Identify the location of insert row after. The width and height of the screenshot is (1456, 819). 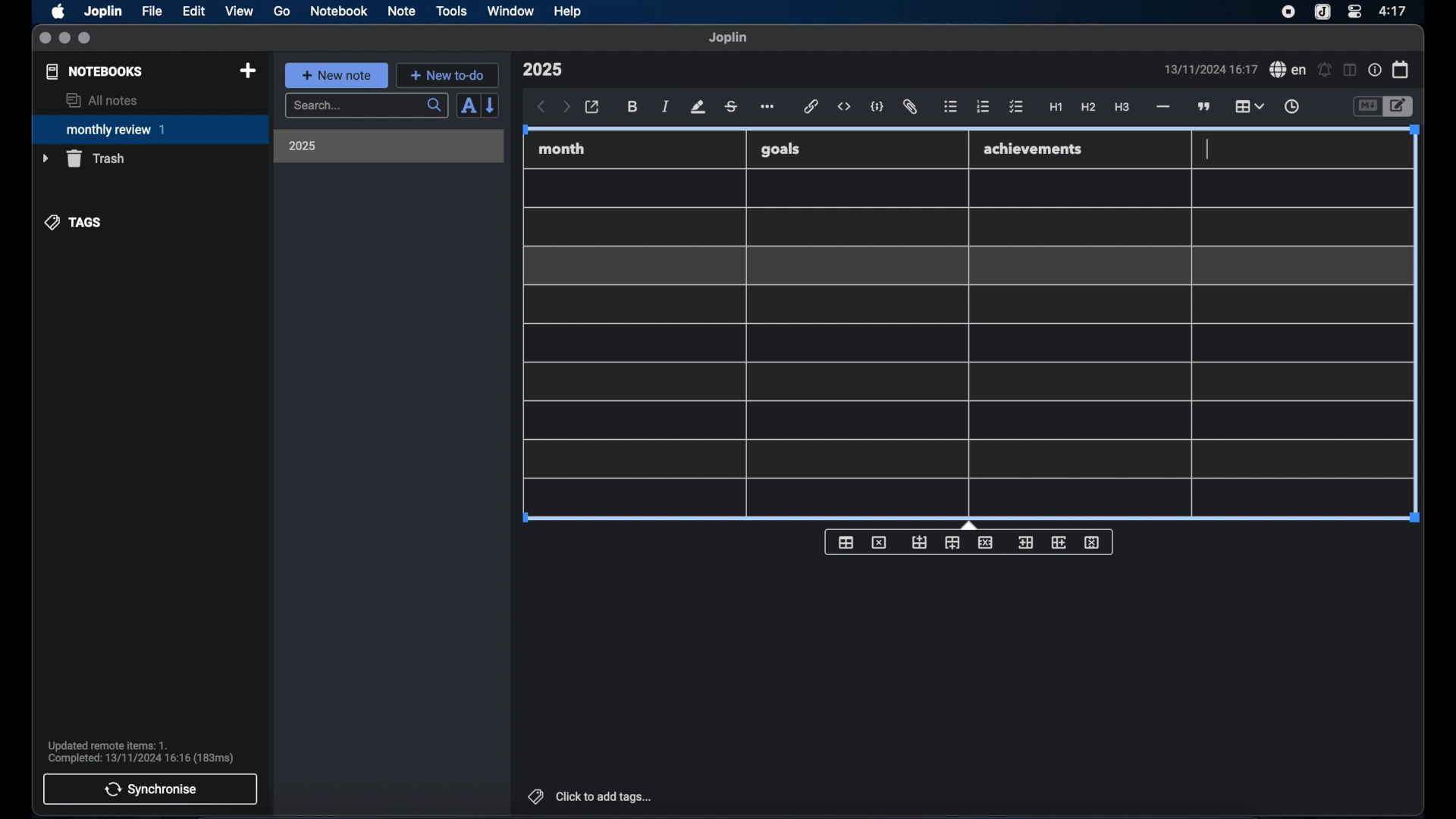
(952, 543).